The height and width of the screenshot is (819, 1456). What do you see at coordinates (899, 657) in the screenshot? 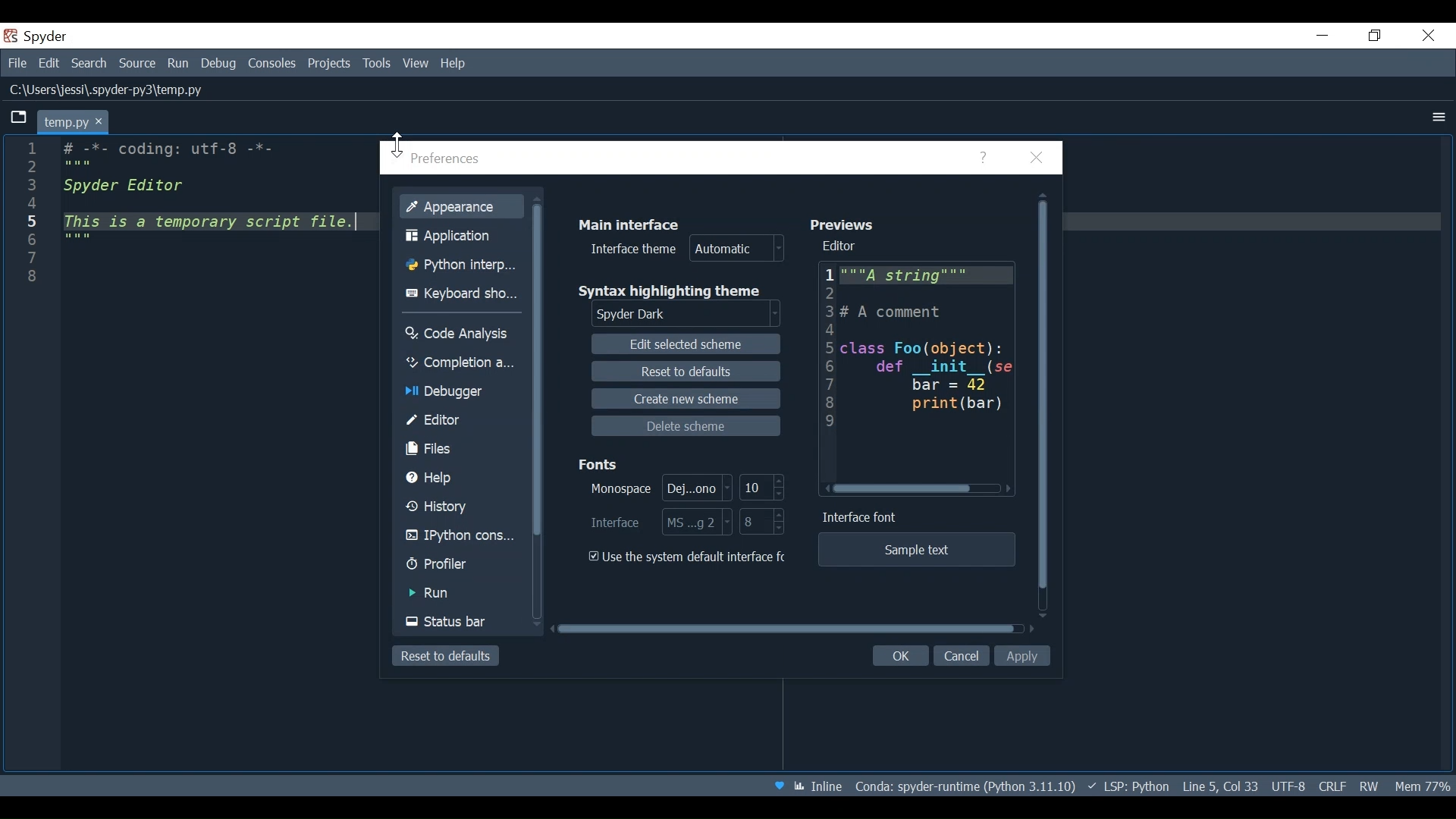
I see `OK` at bounding box center [899, 657].